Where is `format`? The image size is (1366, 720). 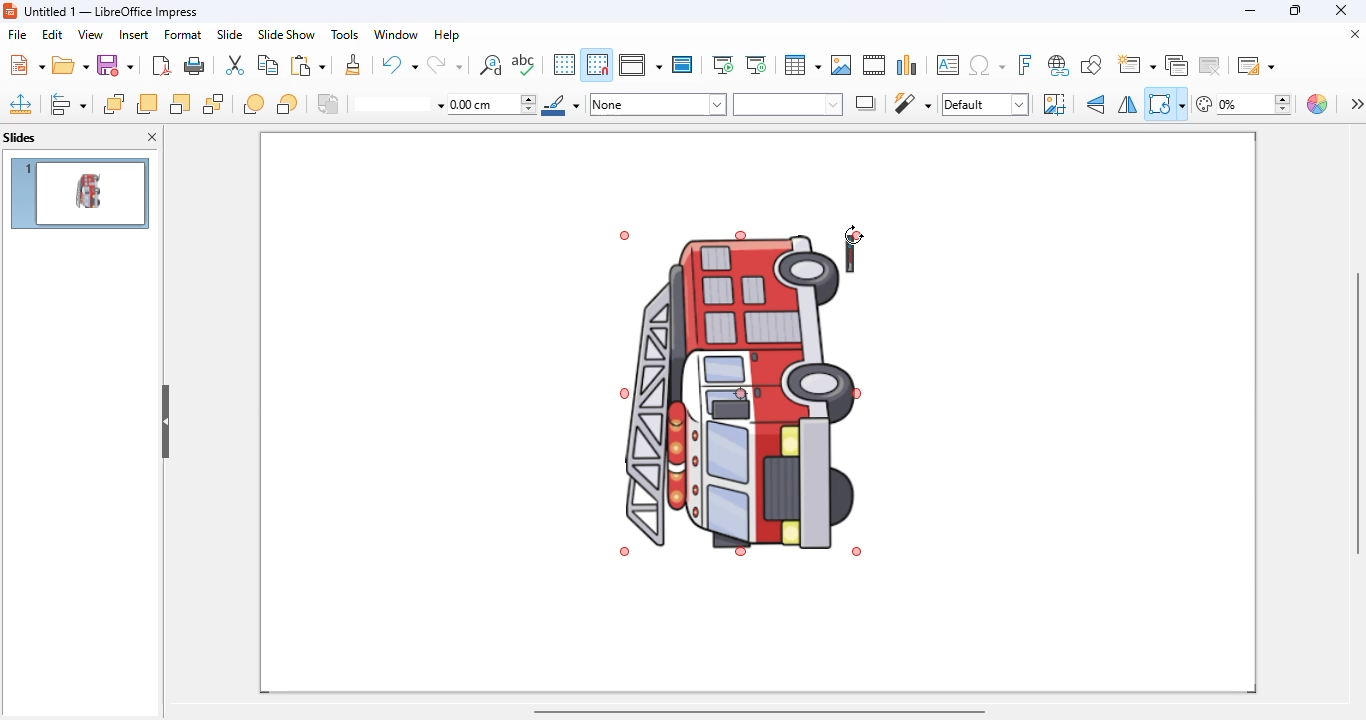
format is located at coordinates (183, 34).